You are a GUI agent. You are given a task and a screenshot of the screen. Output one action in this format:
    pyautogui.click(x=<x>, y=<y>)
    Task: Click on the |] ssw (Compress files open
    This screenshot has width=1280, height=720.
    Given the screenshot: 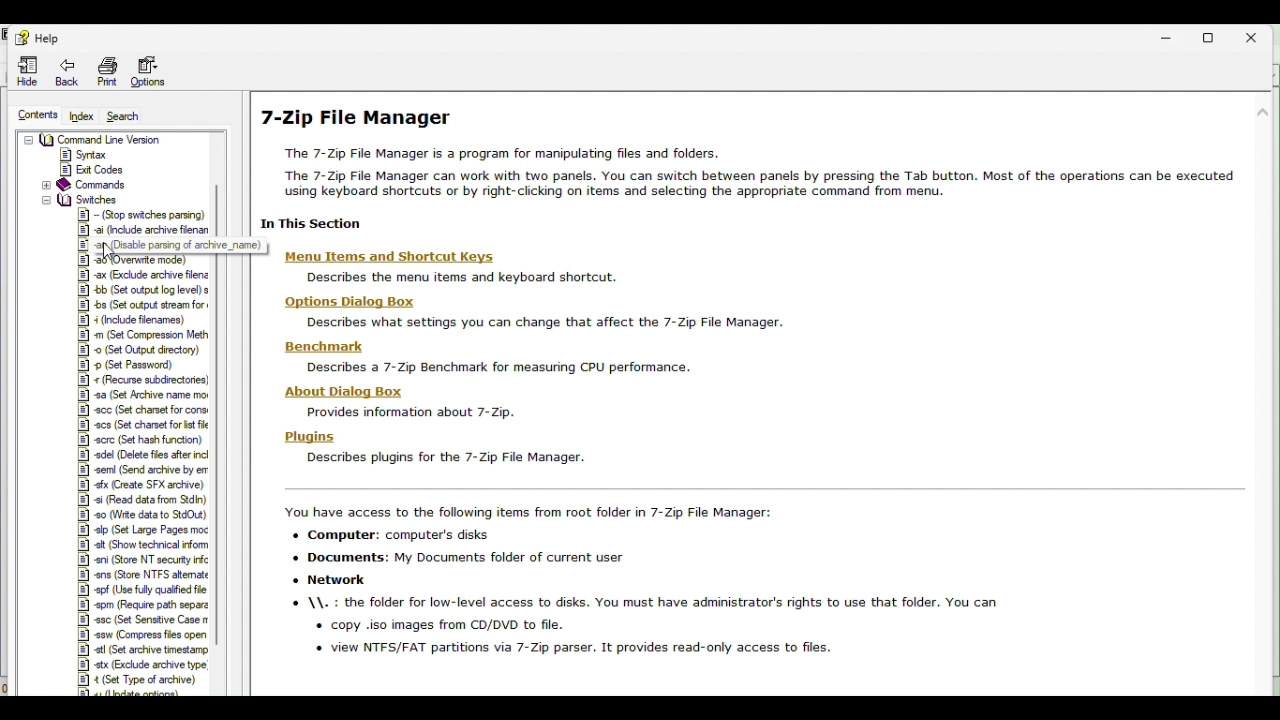 What is the action you would take?
    pyautogui.click(x=140, y=635)
    